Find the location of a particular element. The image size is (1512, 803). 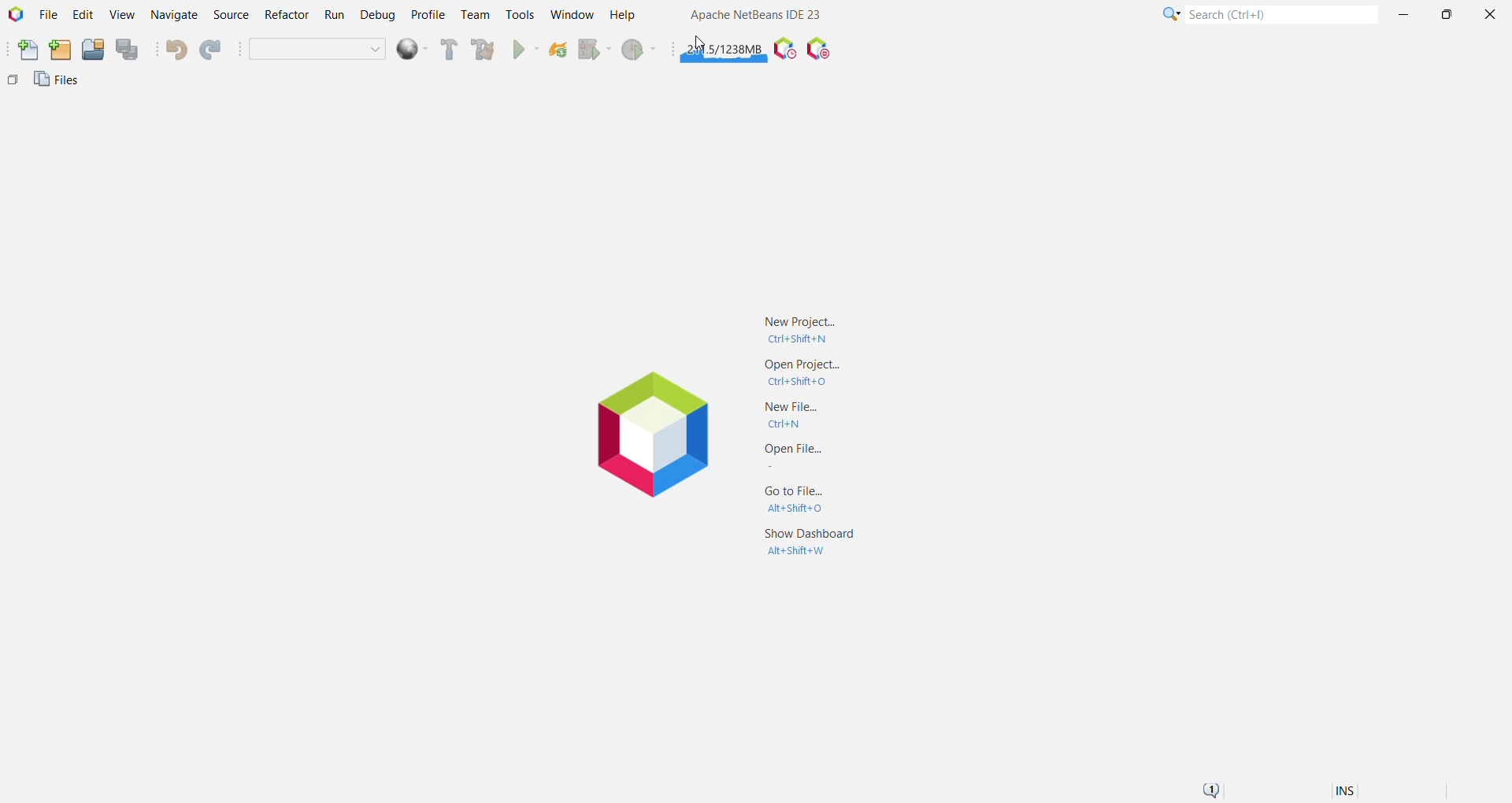

Open Project is located at coordinates (802, 371).